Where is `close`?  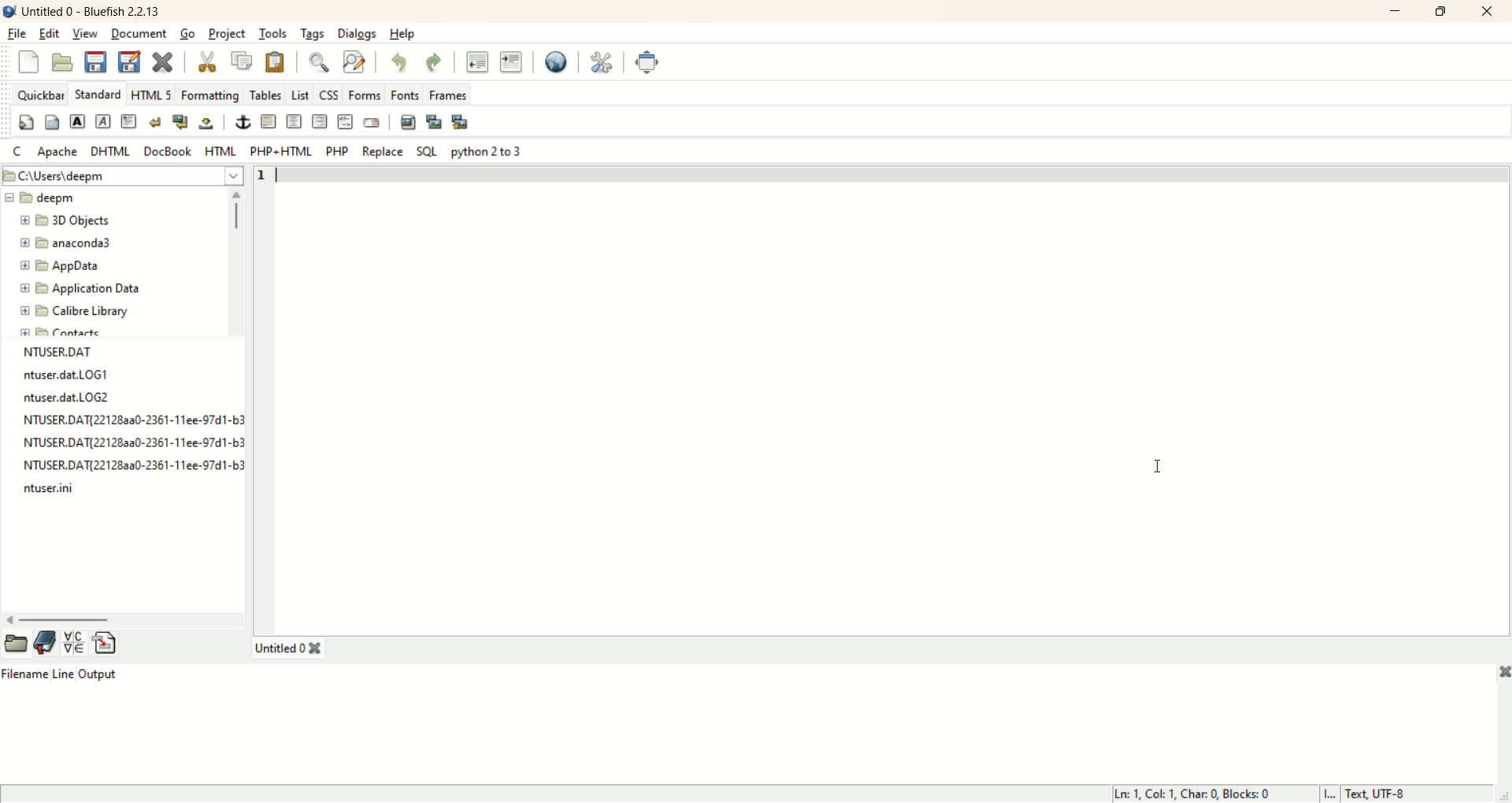 close is located at coordinates (1499, 671).